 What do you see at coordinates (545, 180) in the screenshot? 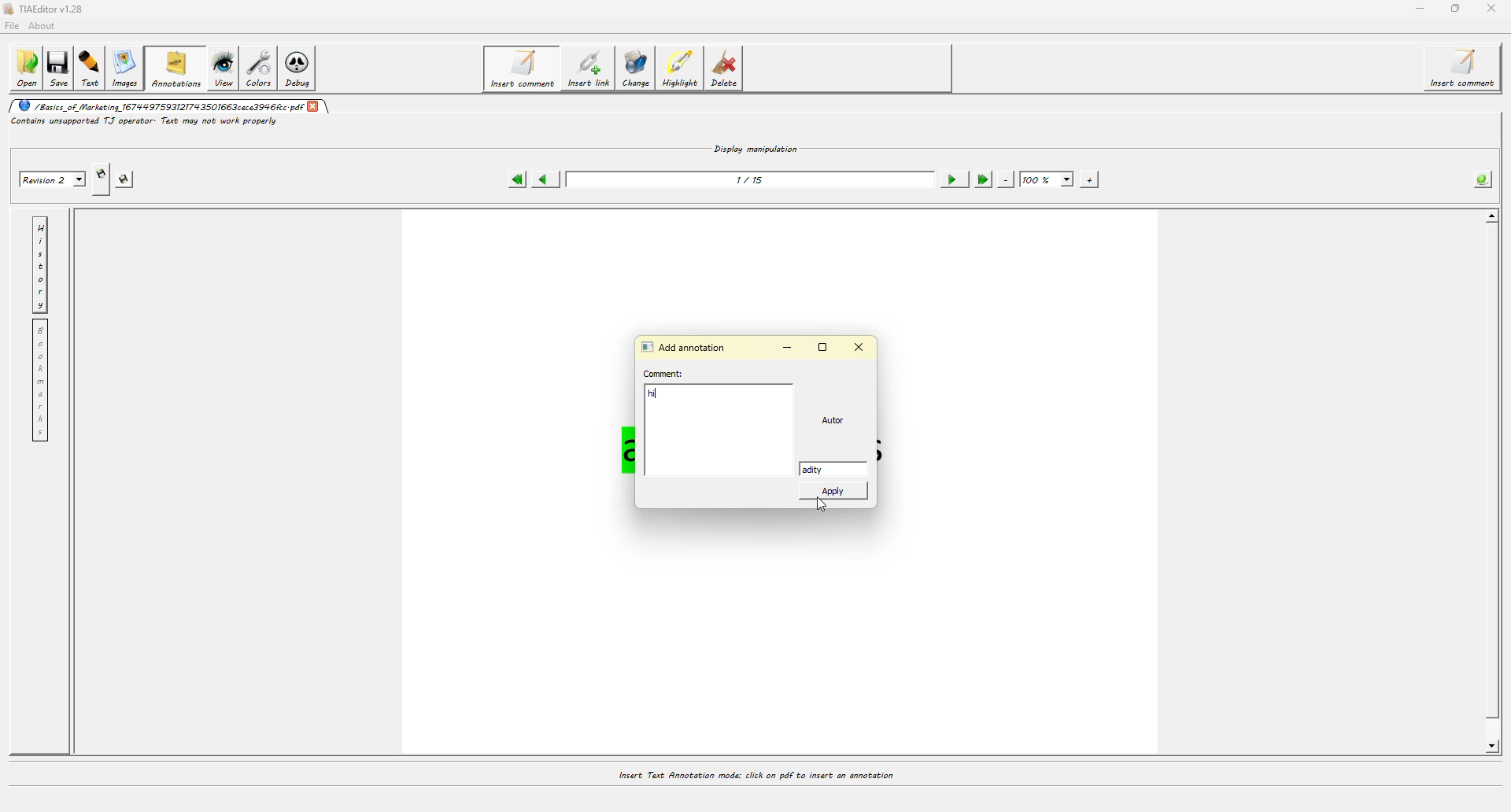
I see `previous page` at bounding box center [545, 180].